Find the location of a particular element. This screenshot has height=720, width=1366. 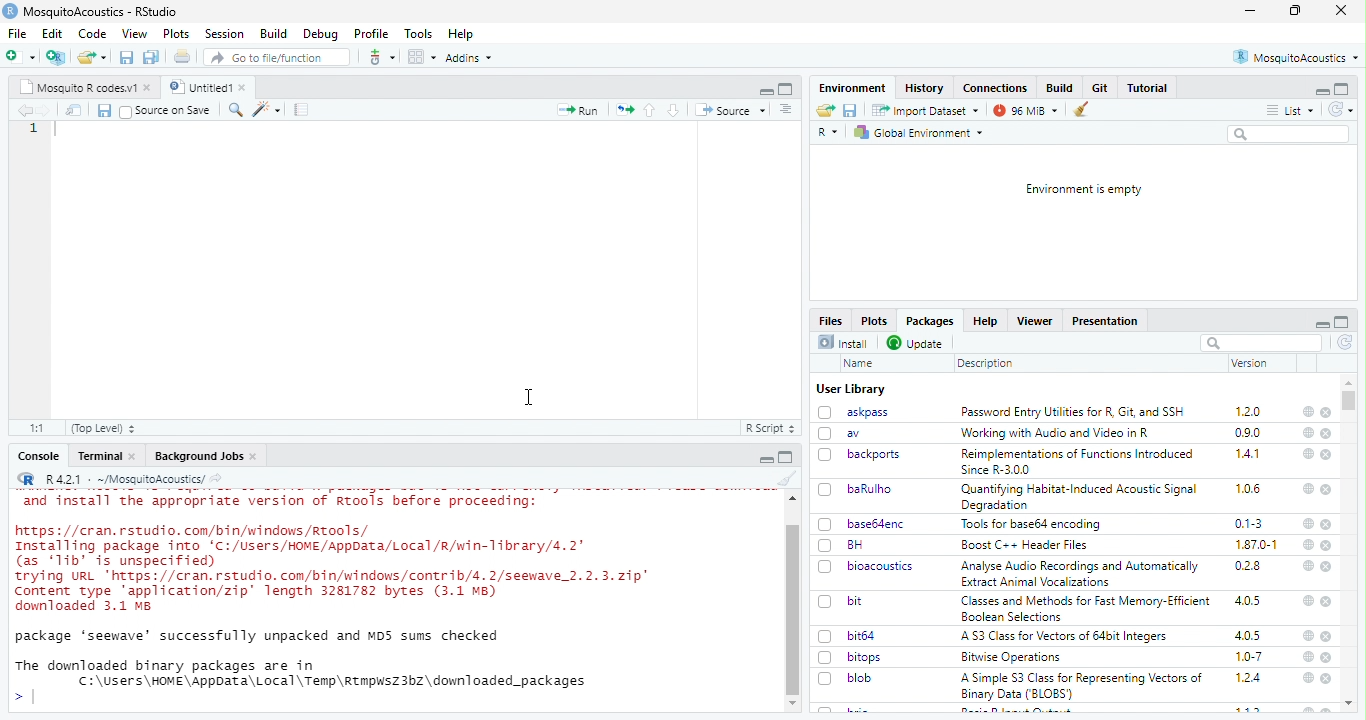

View is located at coordinates (136, 34).